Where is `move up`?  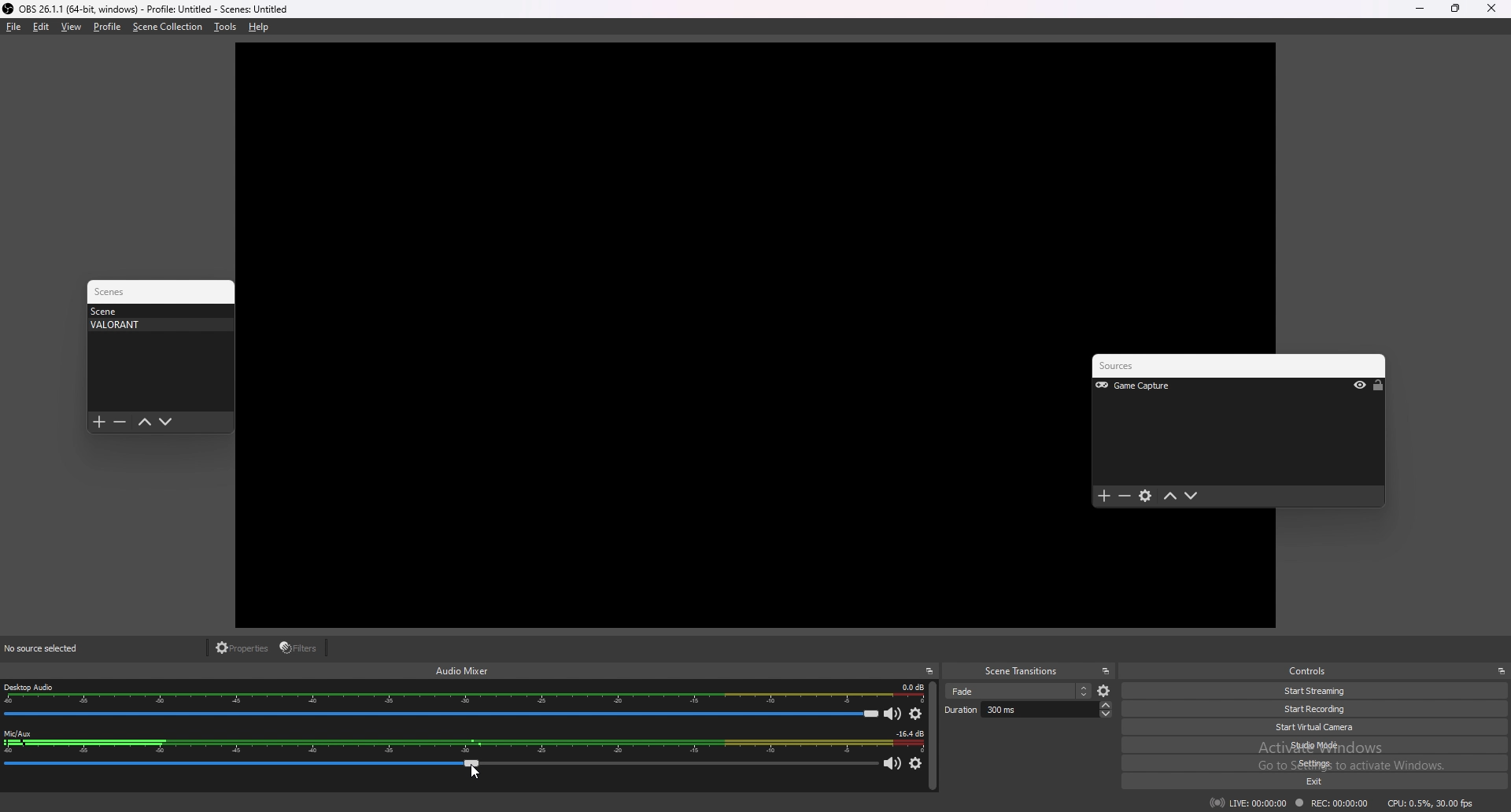
move up is located at coordinates (1171, 496).